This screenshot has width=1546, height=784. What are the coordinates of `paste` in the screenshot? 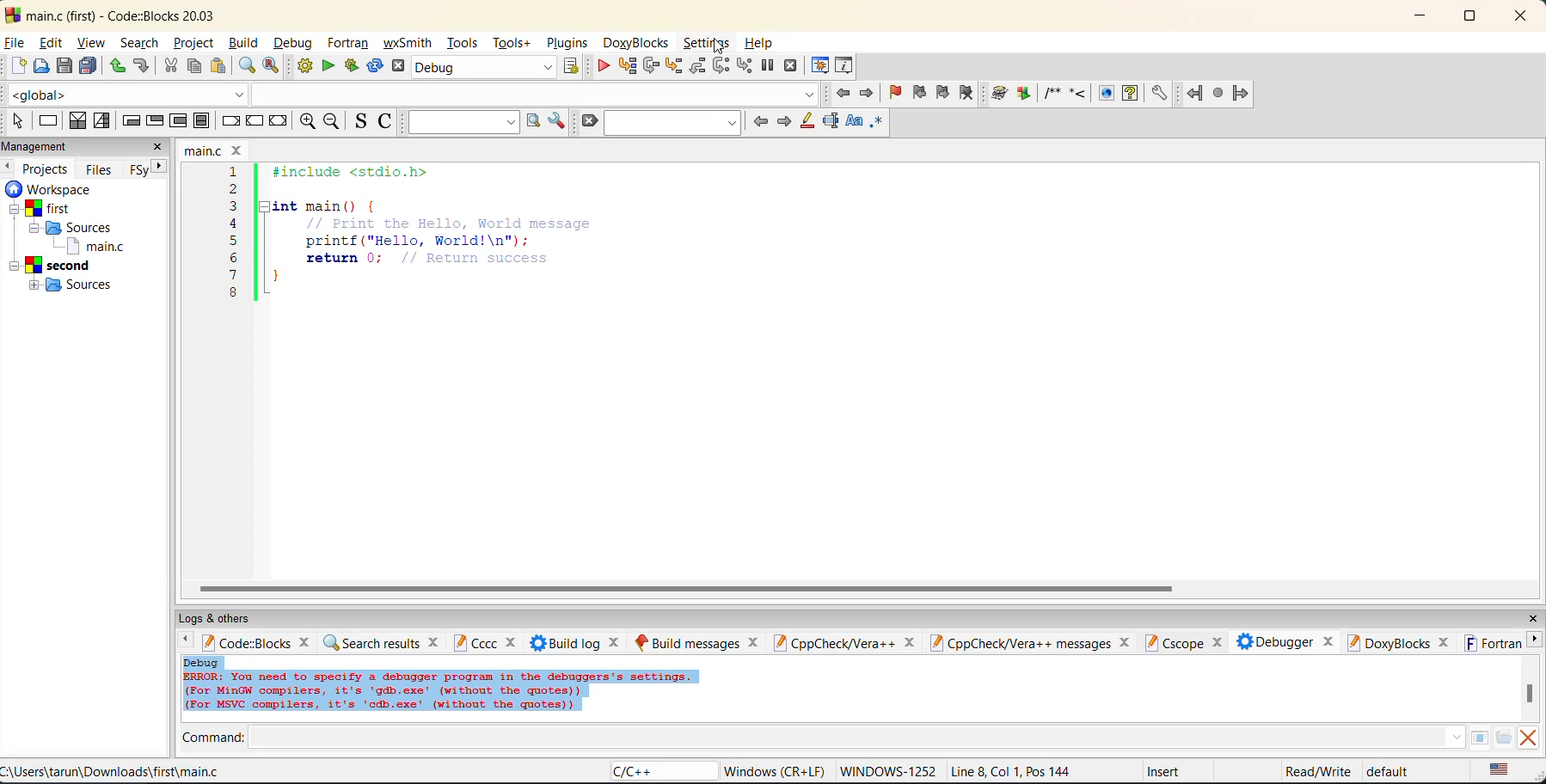 It's located at (220, 67).